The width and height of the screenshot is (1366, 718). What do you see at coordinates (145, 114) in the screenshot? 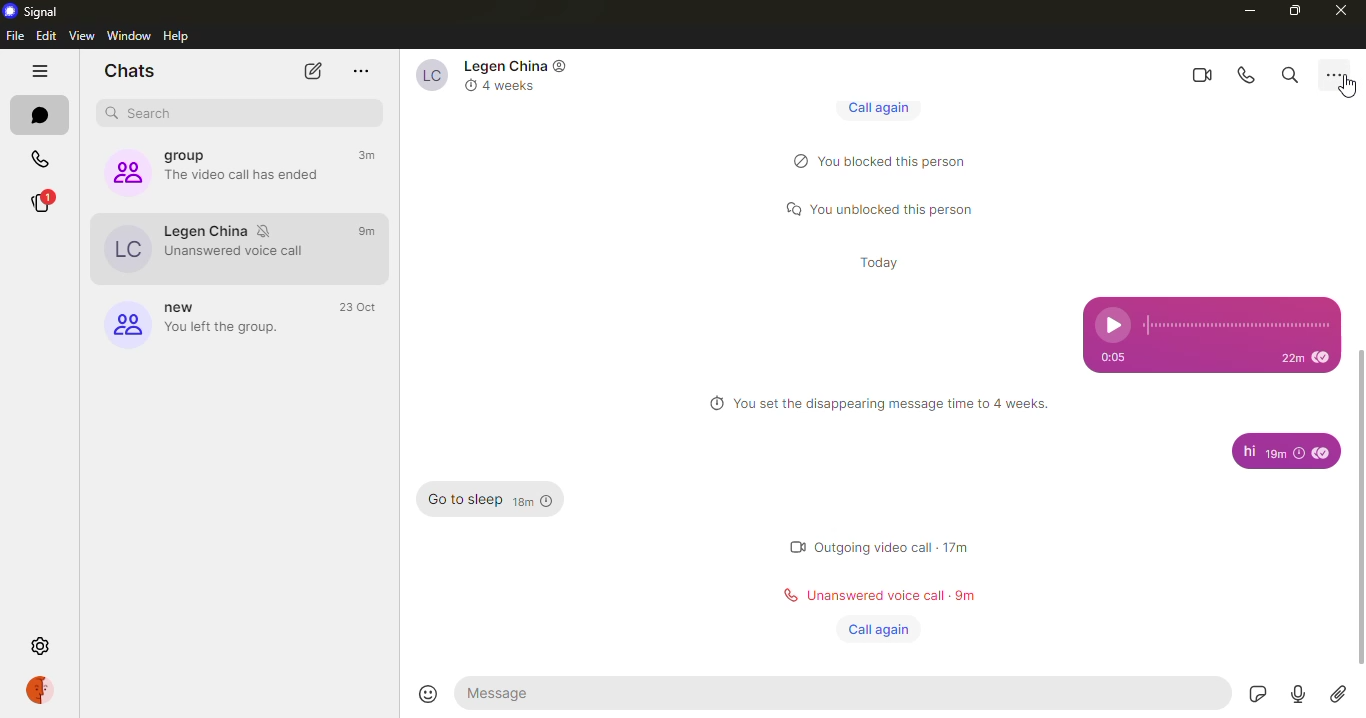
I see `search` at bounding box center [145, 114].